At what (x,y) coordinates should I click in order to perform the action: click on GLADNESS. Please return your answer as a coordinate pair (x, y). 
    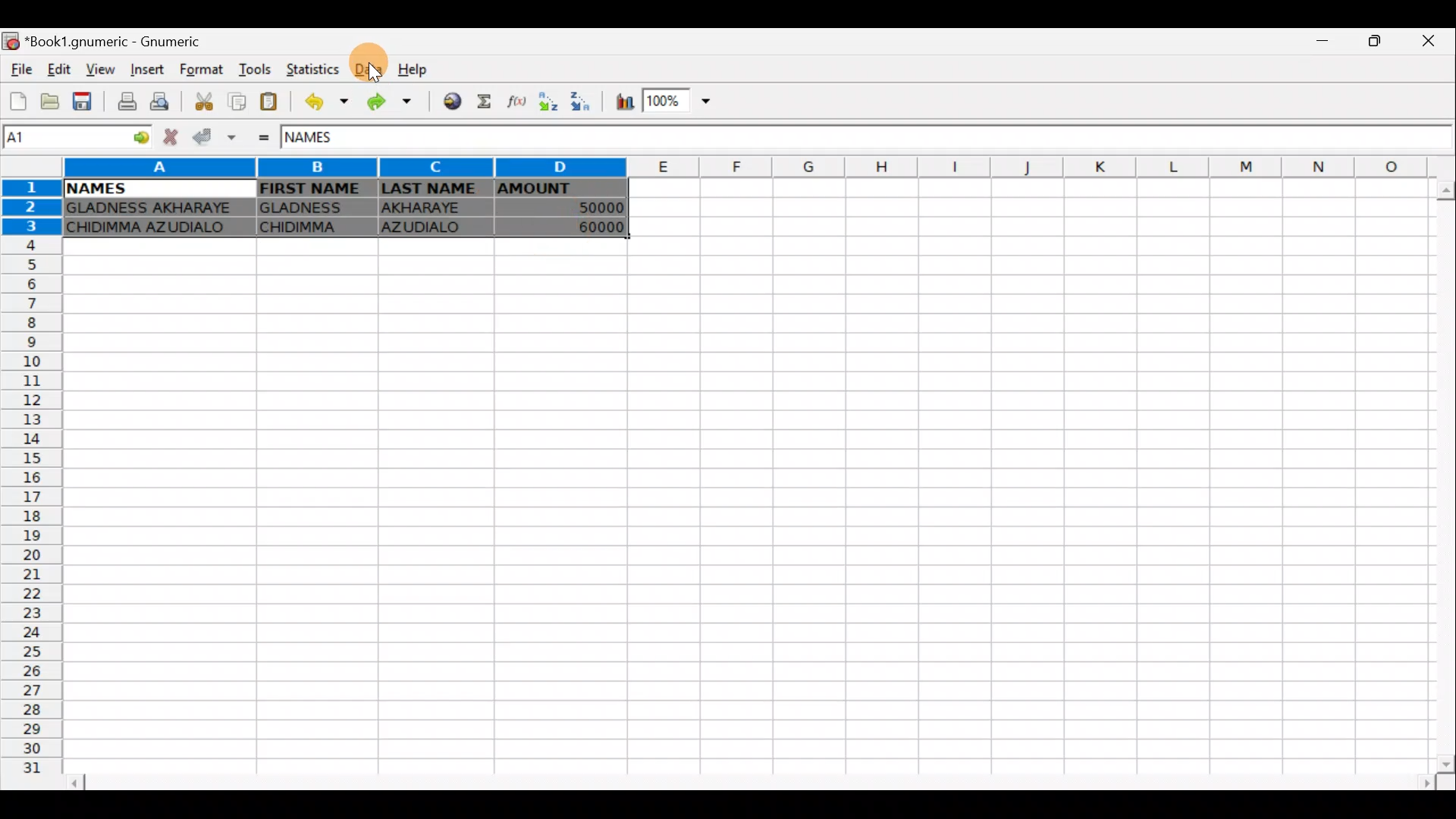
    Looking at the image, I should click on (313, 206).